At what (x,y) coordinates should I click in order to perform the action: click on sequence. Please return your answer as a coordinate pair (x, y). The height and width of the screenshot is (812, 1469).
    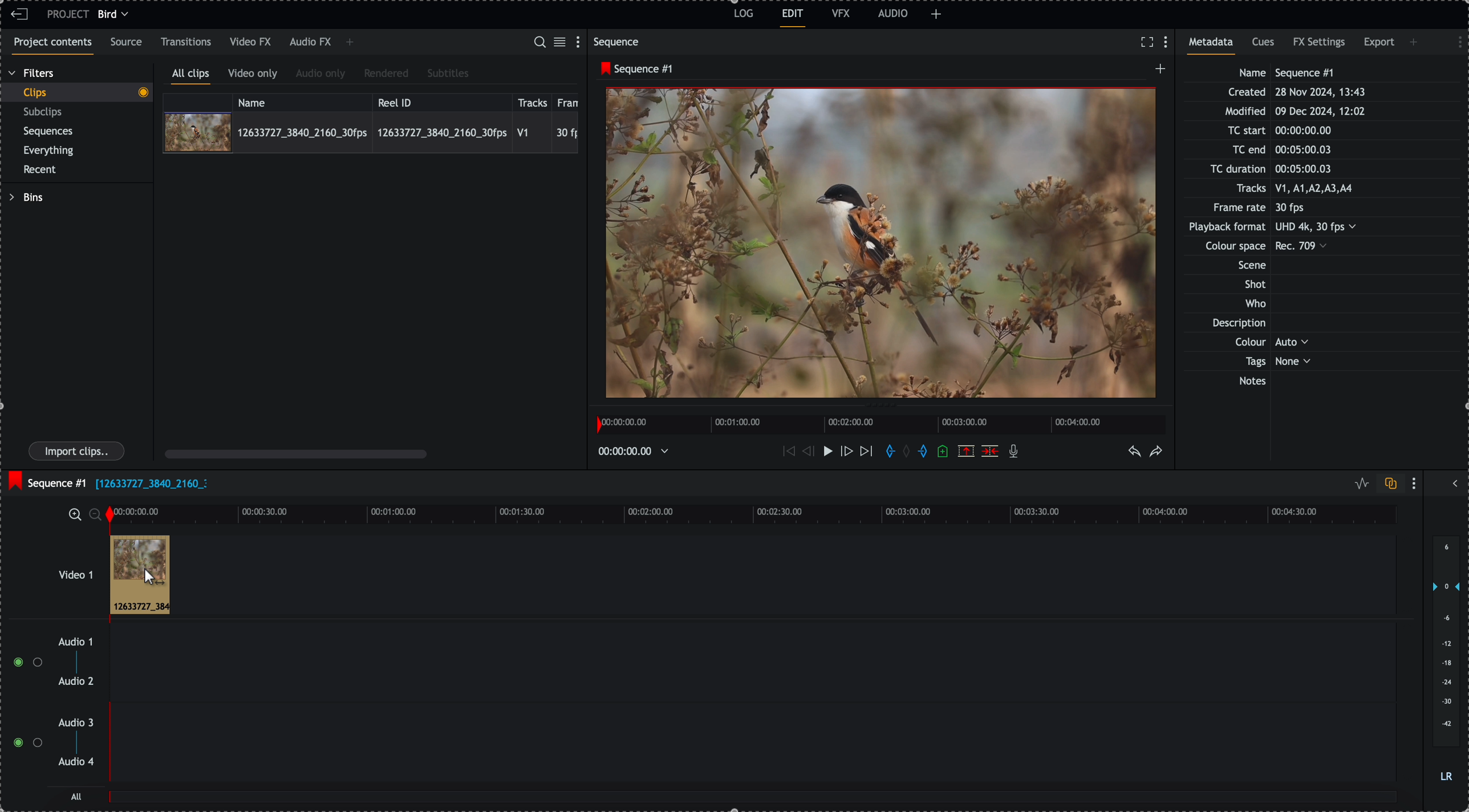
    Looking at the image, I should click on (619, 42).